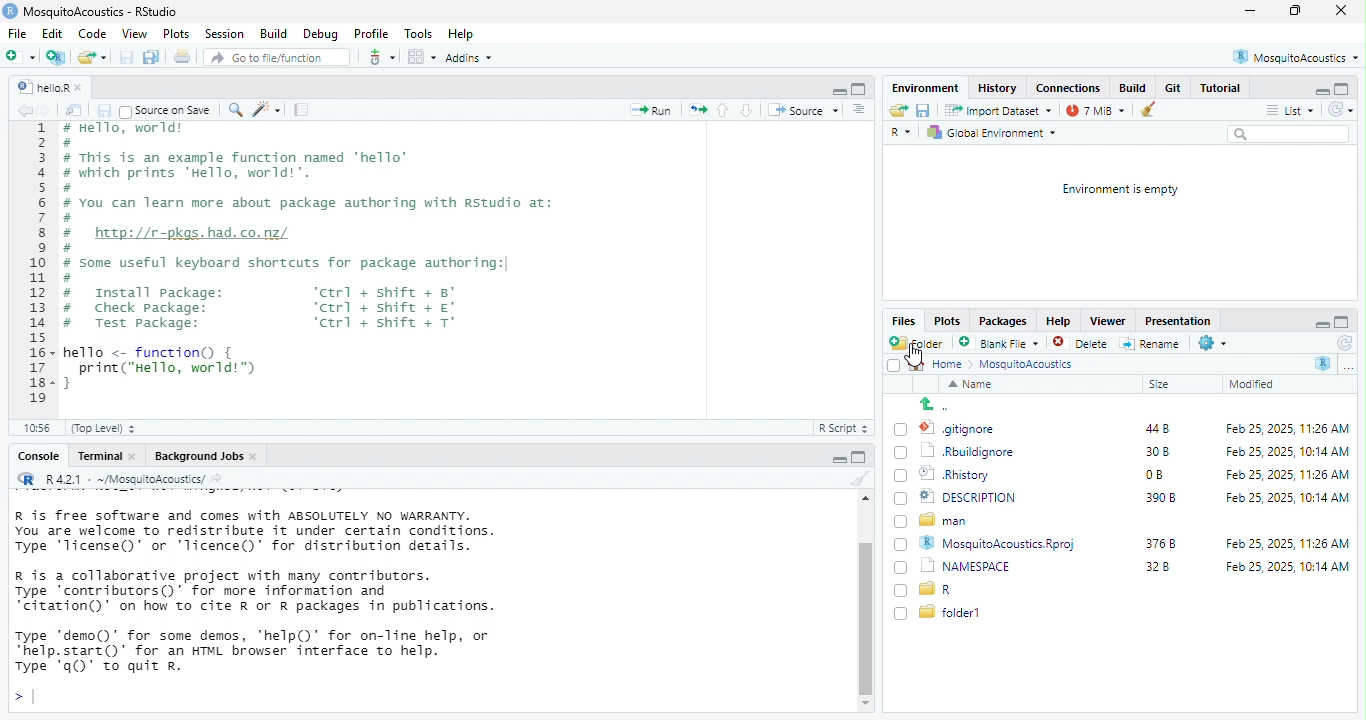  What do you see at coordinates (1162, 542) in the screenshot?
I see `376b` at bounding box center [1162, 542].